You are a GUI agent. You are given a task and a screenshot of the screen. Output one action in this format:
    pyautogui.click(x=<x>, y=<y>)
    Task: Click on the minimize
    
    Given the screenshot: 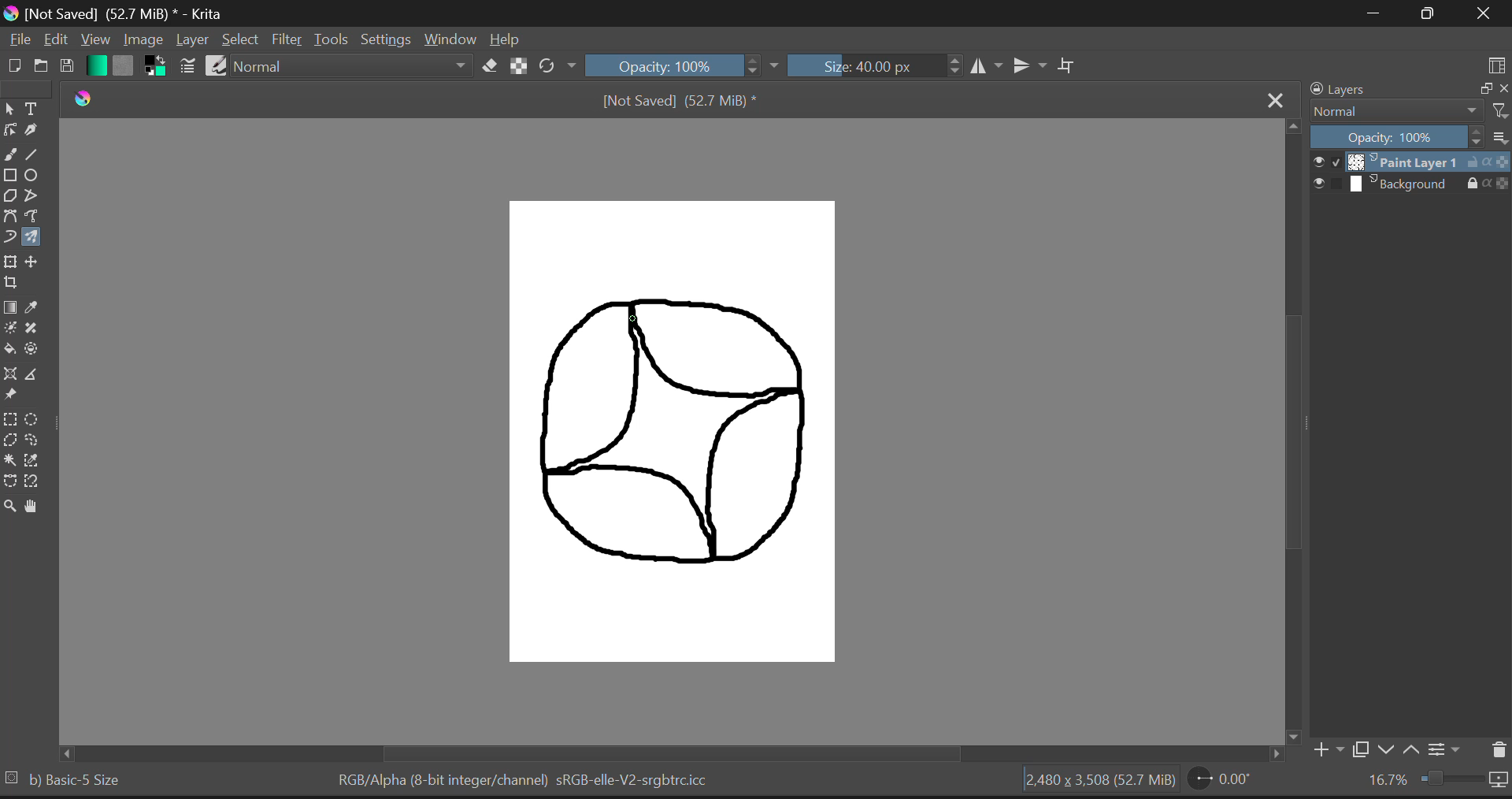 What is the action you would take?
    pyautogui.click(x=1484, y=87)
    